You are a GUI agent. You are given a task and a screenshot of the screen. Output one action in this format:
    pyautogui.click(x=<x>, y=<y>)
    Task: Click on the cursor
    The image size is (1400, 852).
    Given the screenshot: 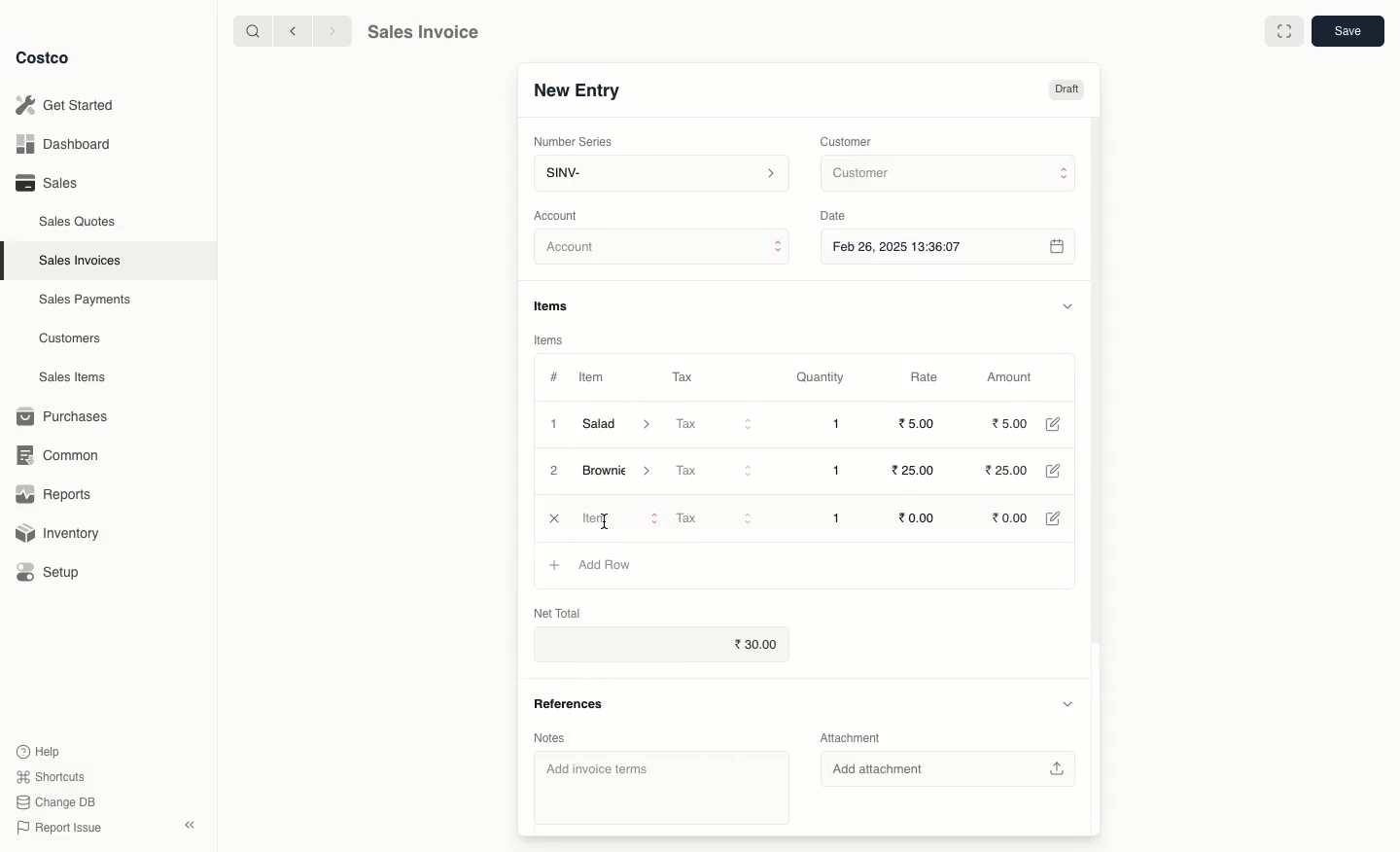 What is the action you would take?
    pyautogui.click(x=602, y=520)
    